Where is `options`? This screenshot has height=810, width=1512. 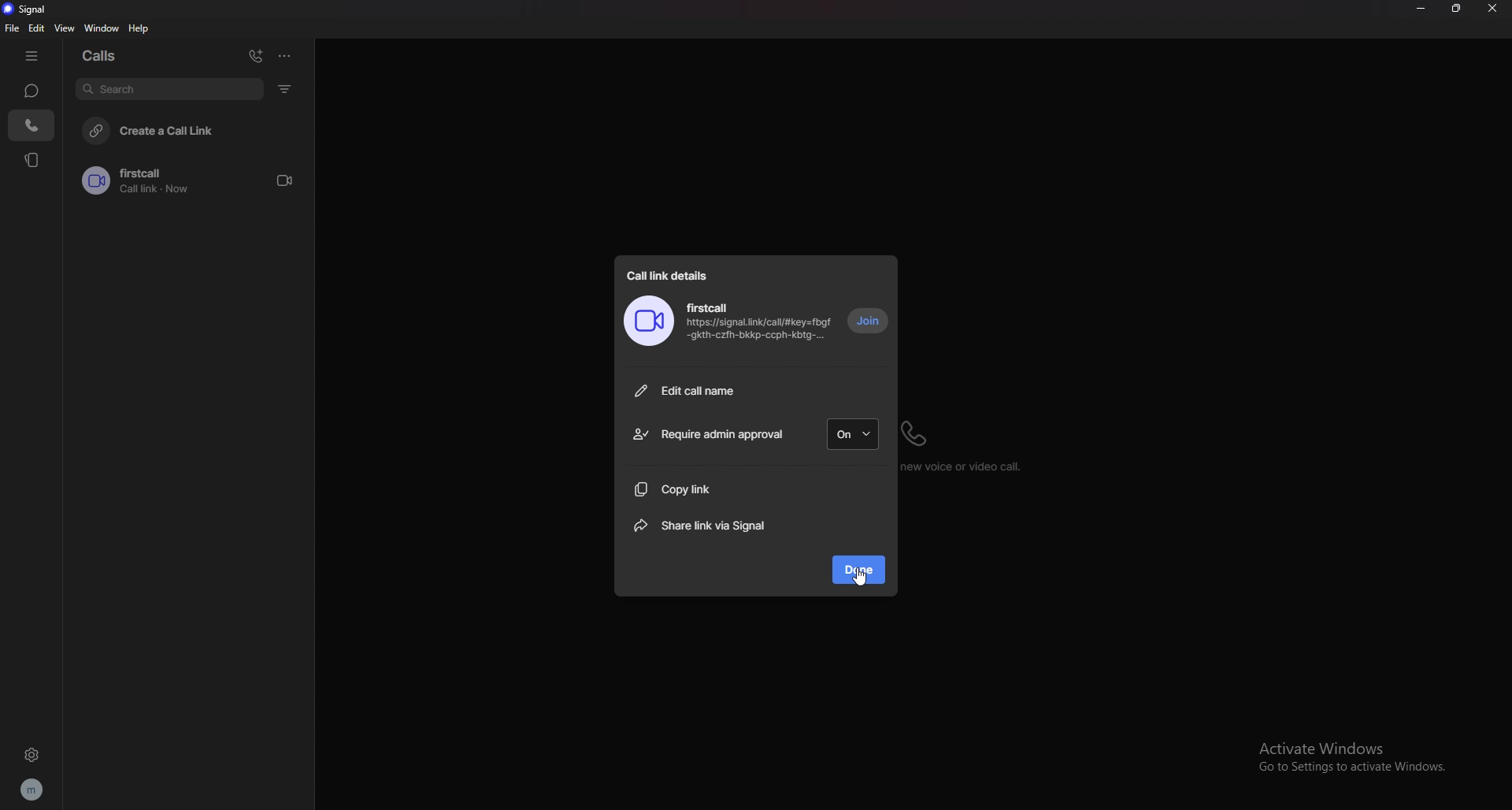
options is located at coordinates (284, 55).